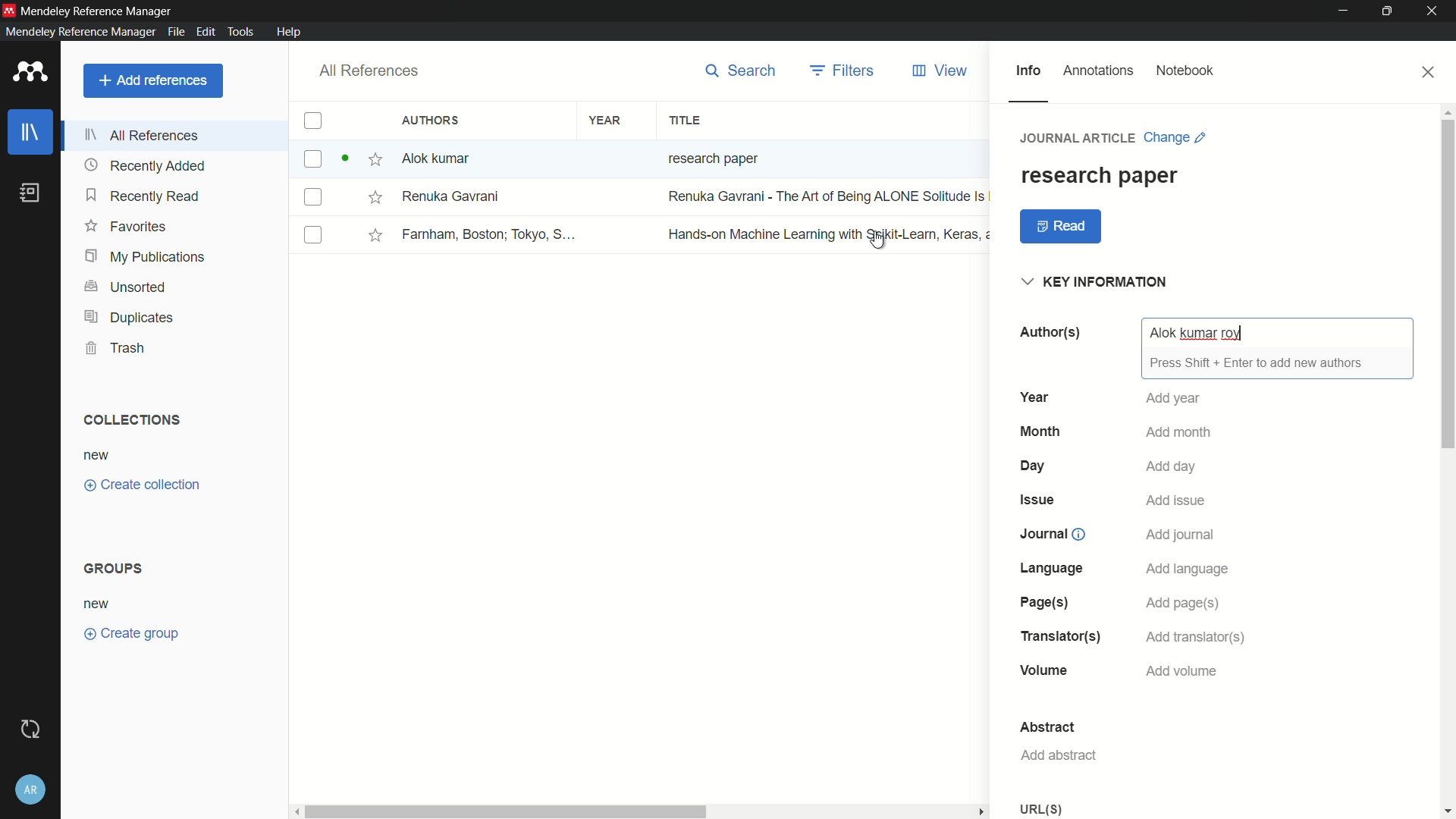 Image resolution: width=1456 pixels, height=819 pixels. Describe the element at coordinates (1040, 431) in the screenshot. I see `month` at that location.